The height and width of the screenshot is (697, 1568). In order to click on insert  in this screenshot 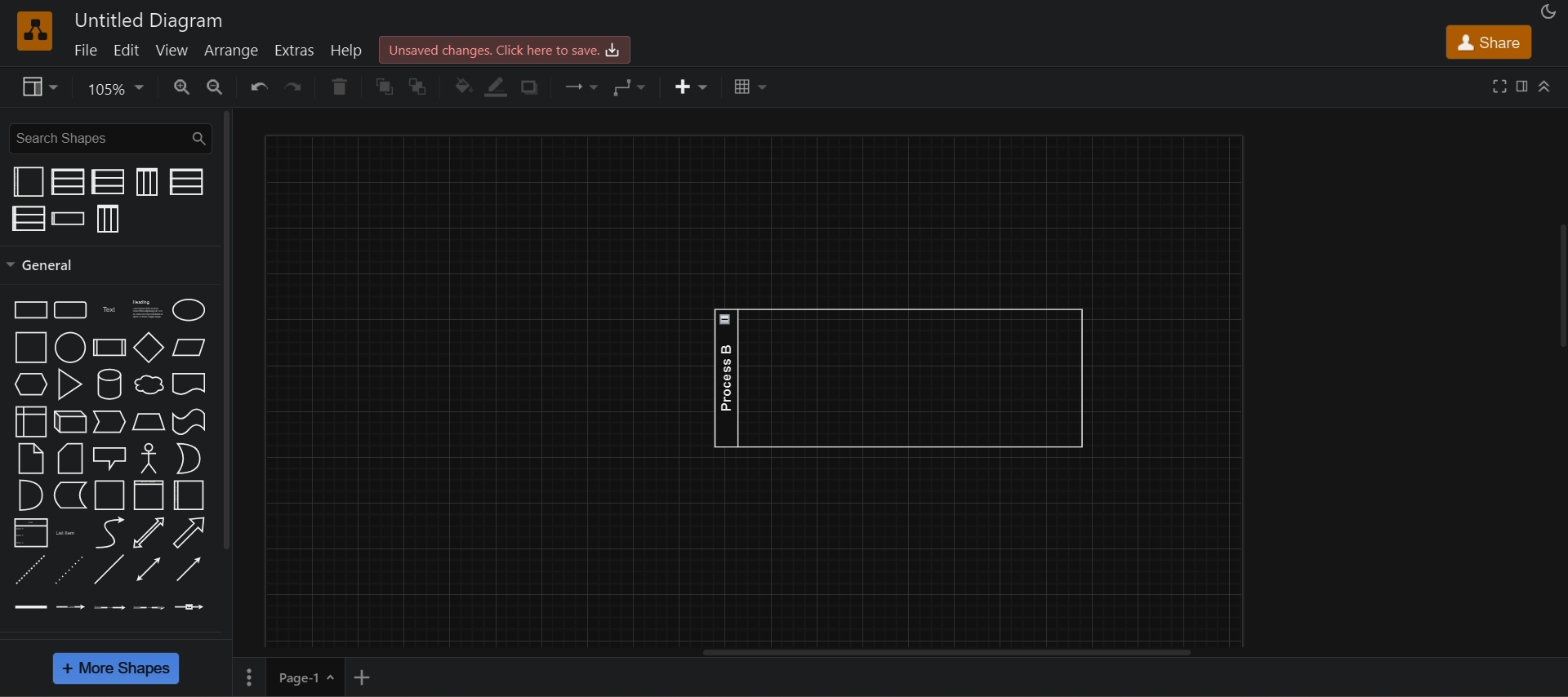, I will do `click(693, 87)`.